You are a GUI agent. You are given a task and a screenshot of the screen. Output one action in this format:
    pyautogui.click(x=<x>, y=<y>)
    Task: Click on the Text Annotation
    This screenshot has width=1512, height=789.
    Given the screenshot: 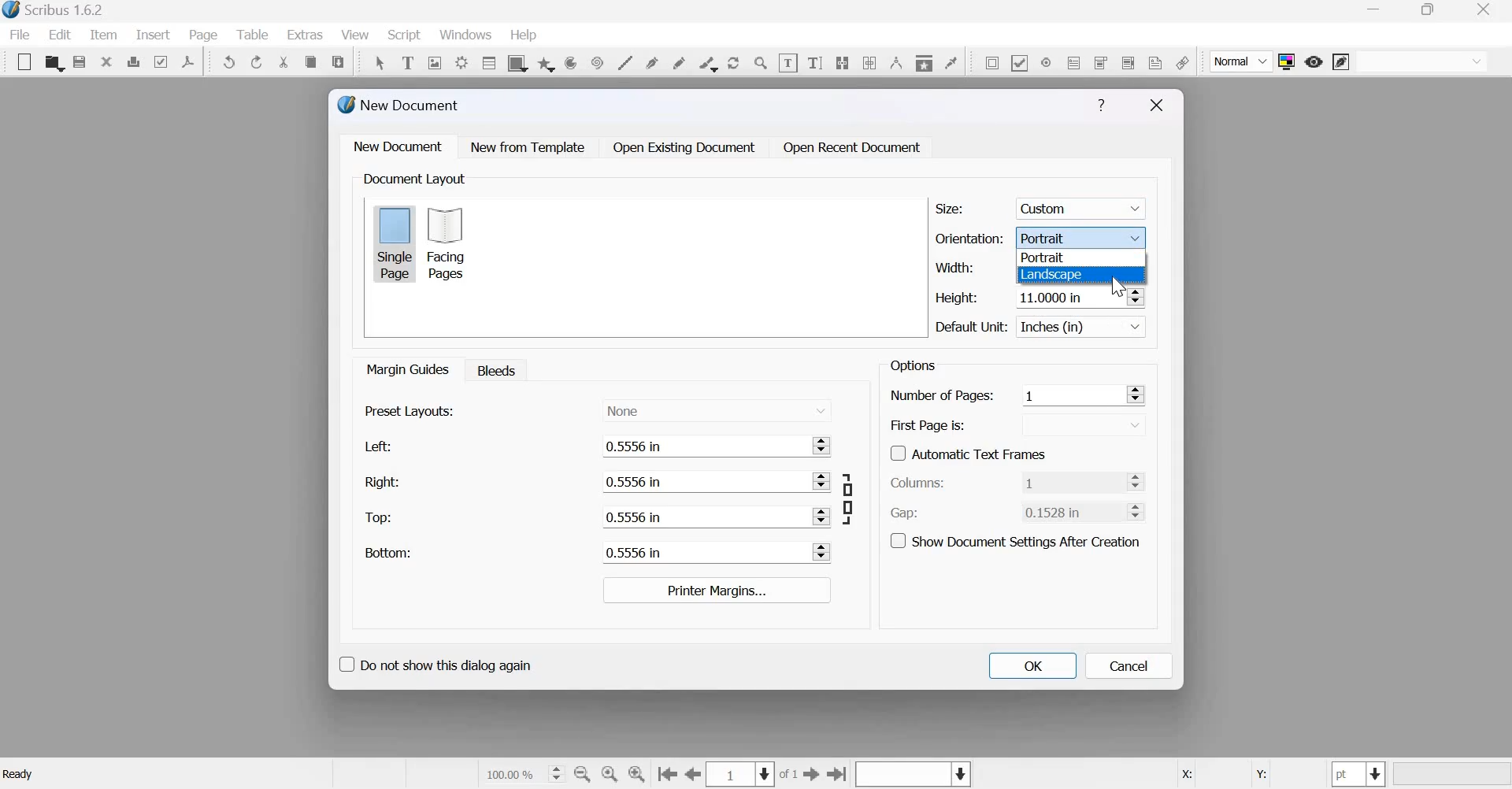 What is the action you would take?
    pyautogui.click(x=1155, y=62)
    